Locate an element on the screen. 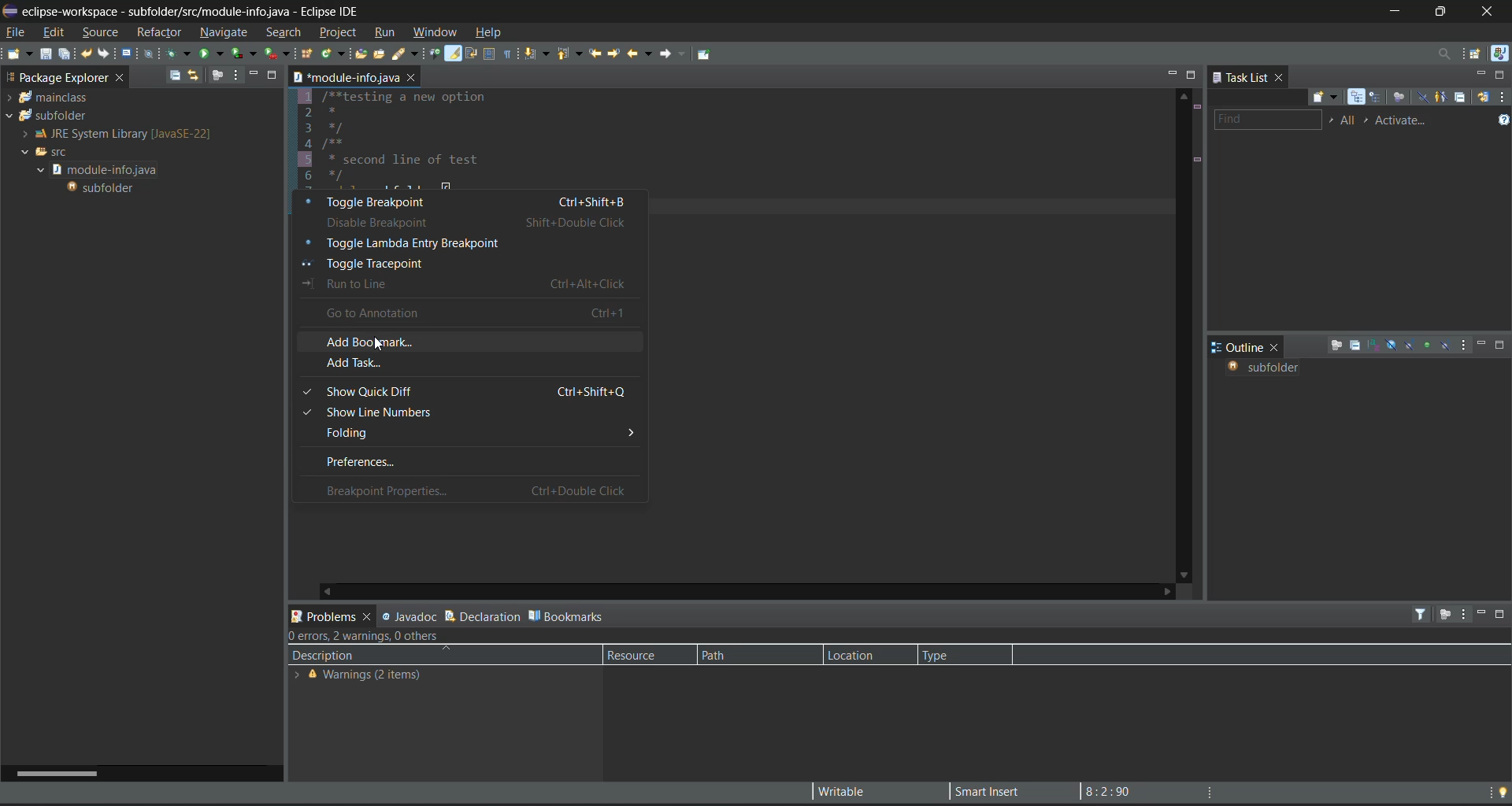 The width and height of the screenshot is (1512, 806). go to annotation is located at coordinates (470, 313).